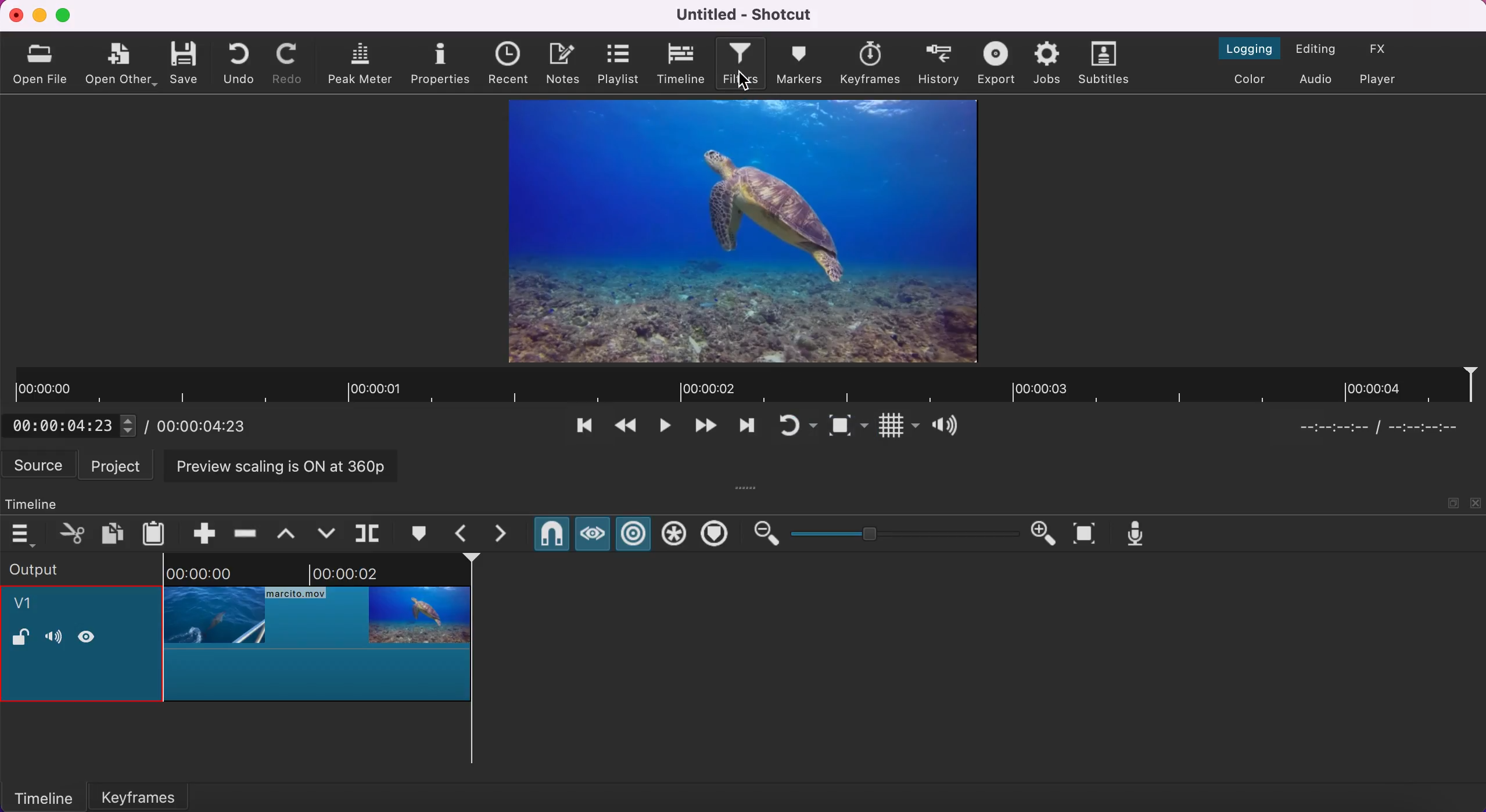  What do you see at coordinates (747, 15) in the screenshot?
I see `Untitled - Shotcut` at bounding box center [747, 15].